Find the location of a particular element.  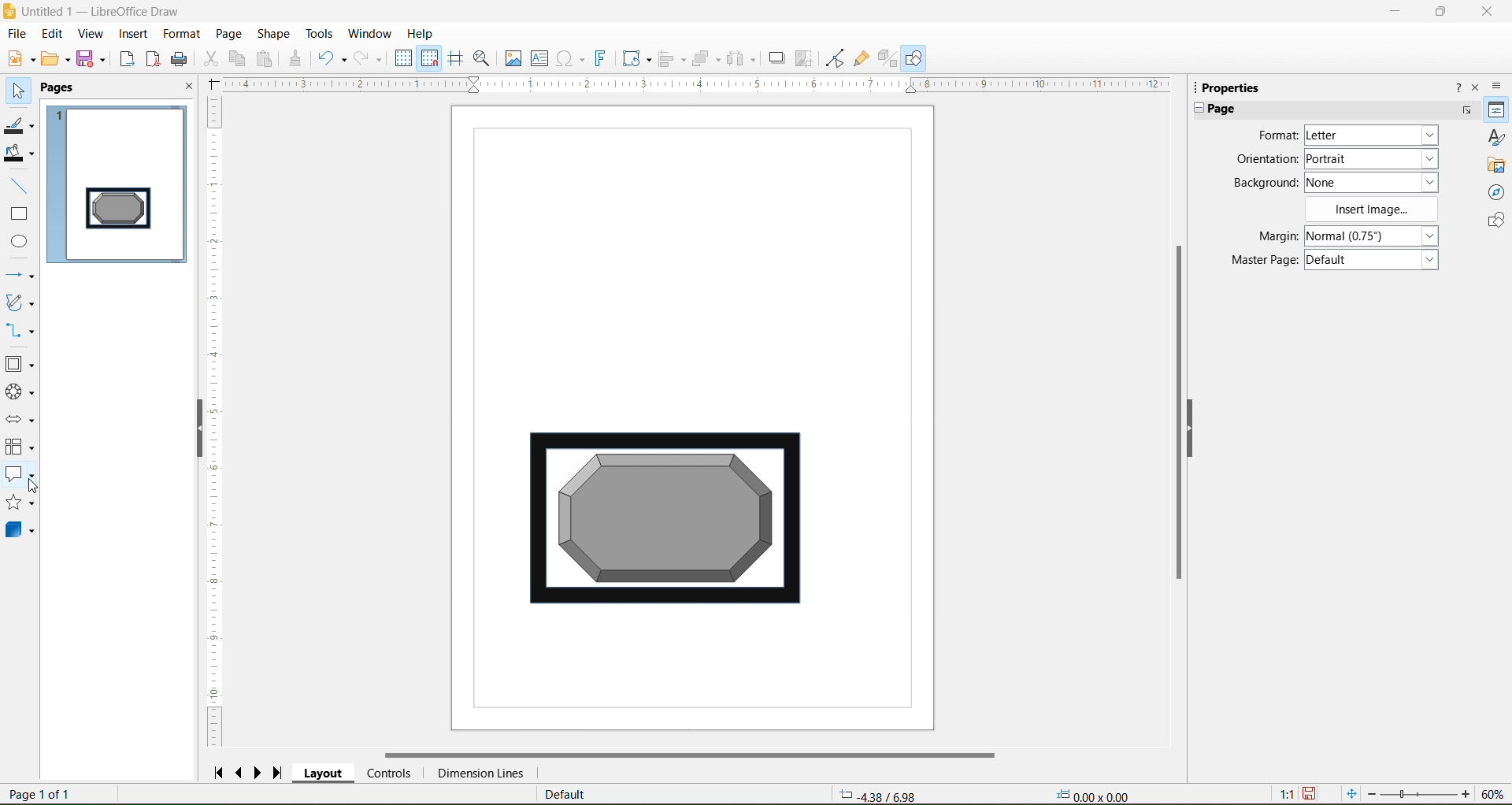

Gallery is located at coordinates (1496, 165).